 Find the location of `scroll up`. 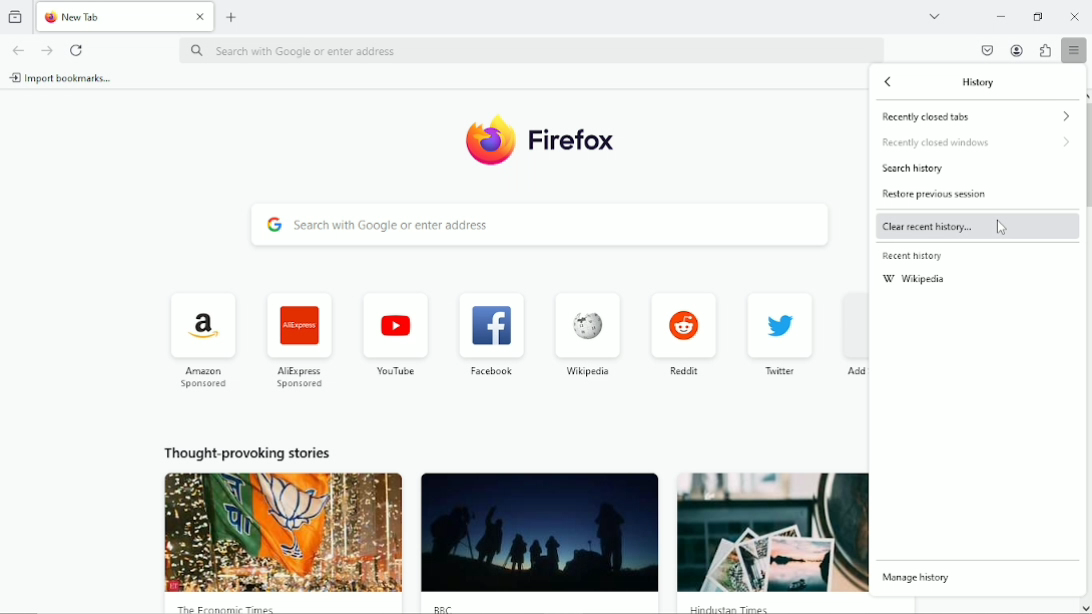

scroll up is located at coordinates (1085, 96).